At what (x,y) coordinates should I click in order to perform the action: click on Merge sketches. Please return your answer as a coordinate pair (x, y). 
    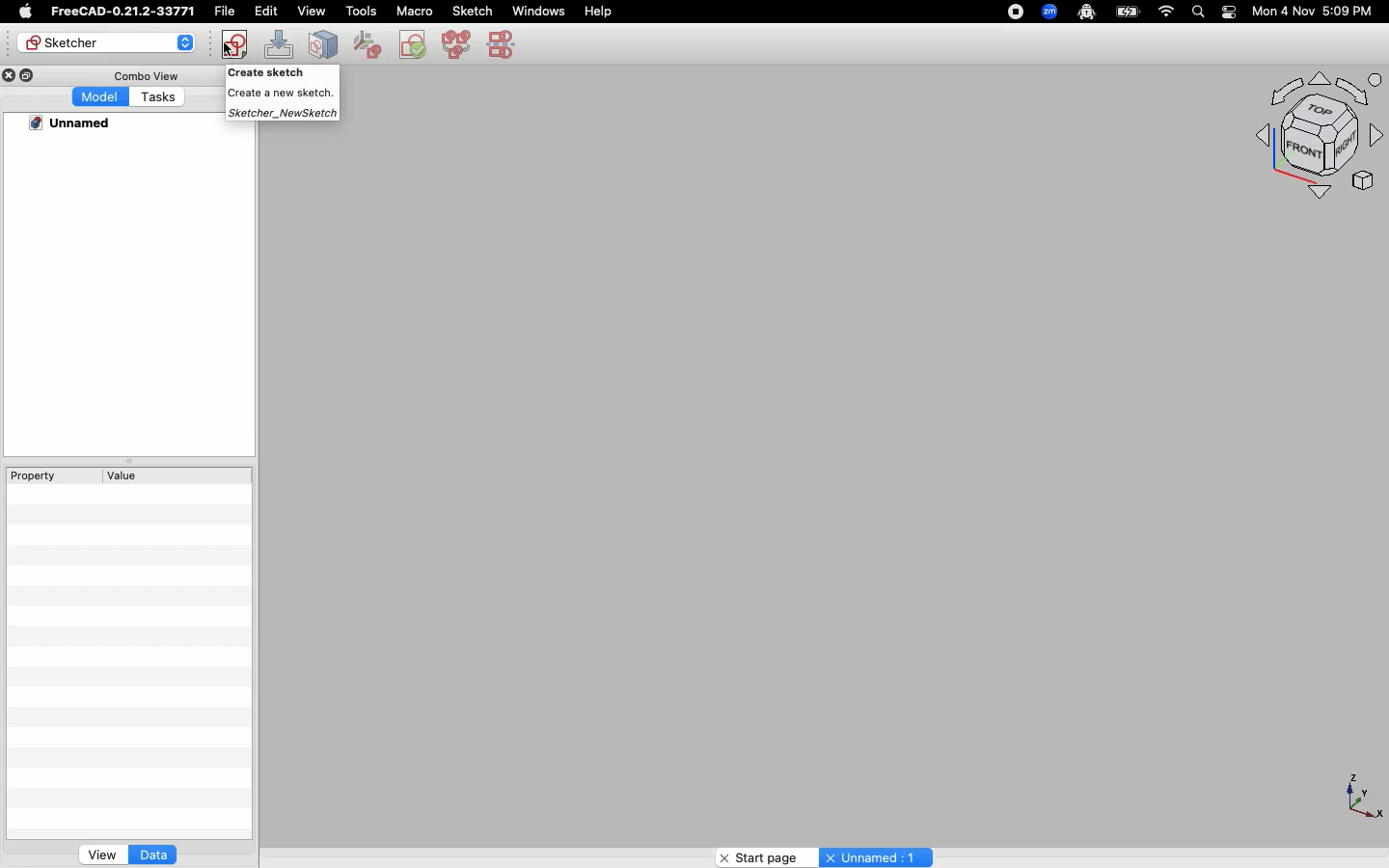
    Looking at the image, I should click on (456, 43).